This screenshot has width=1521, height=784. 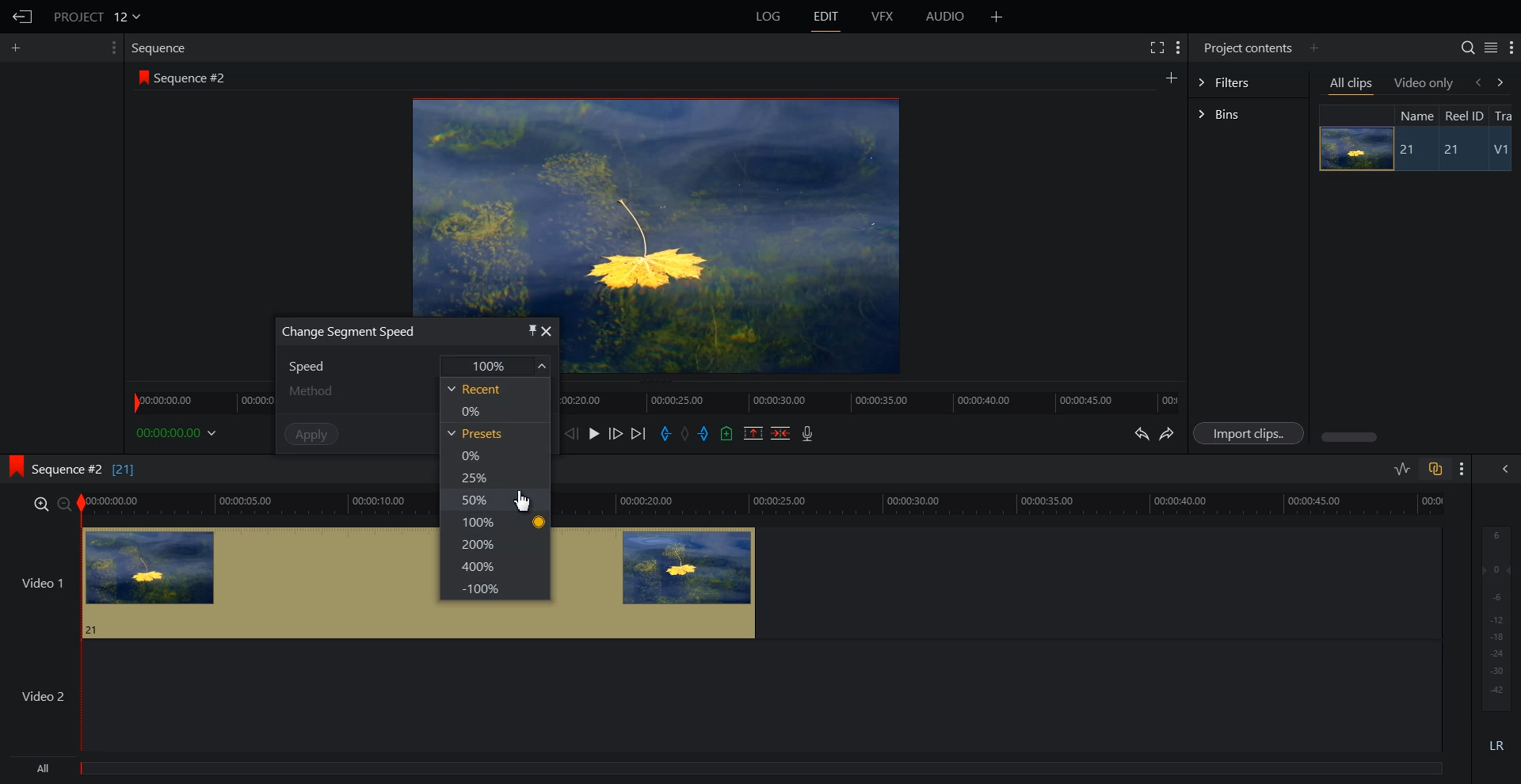 What do you see at coordinates (49, 503) in the screenshot?
I see `zoom in/zoom out` at bounding box center [49, 503].